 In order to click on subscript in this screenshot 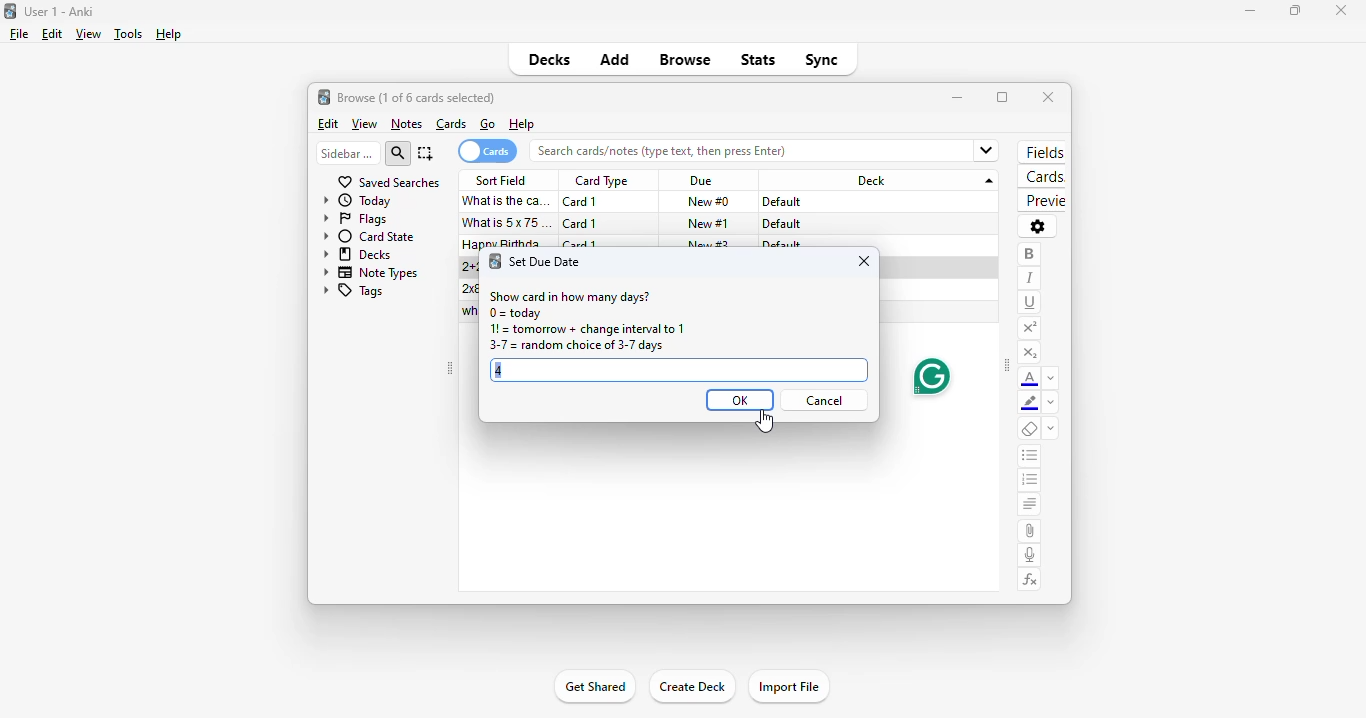, I will do `click(1029, 353)`.